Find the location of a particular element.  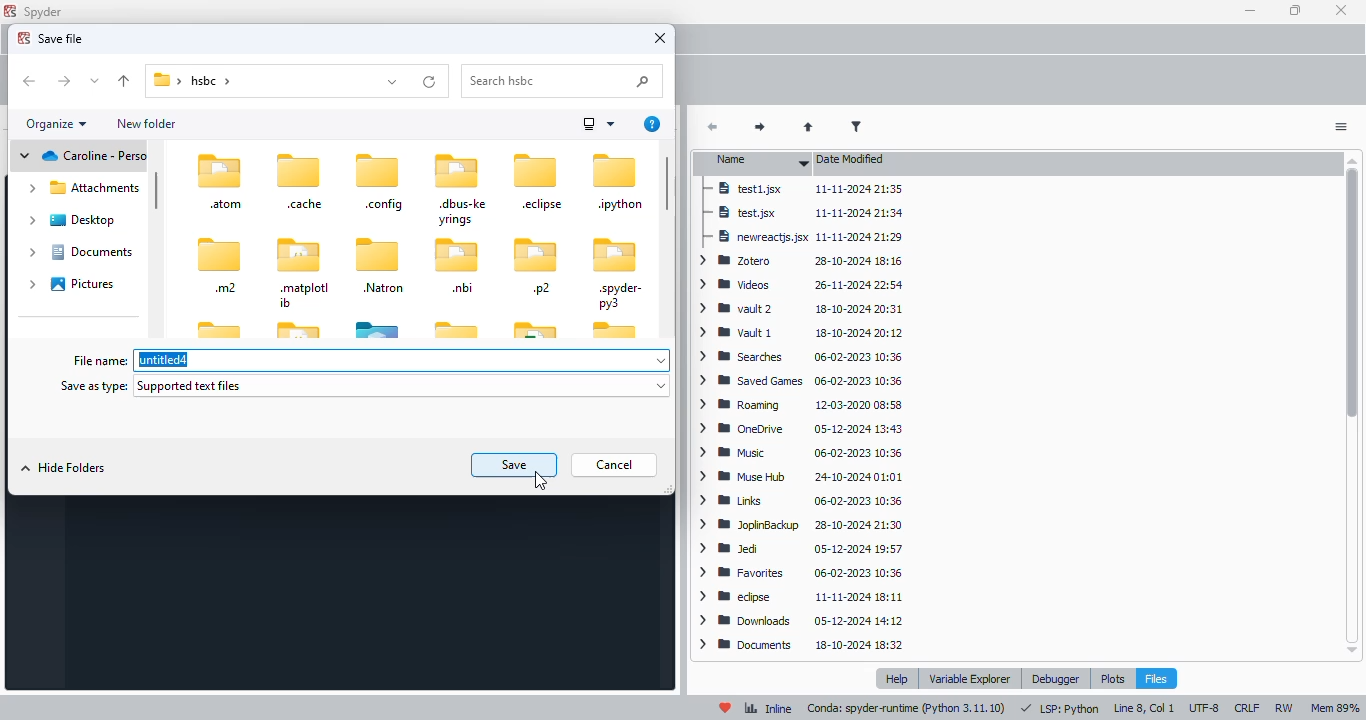

file name: untitled4 is located at coordinates (370, 360).